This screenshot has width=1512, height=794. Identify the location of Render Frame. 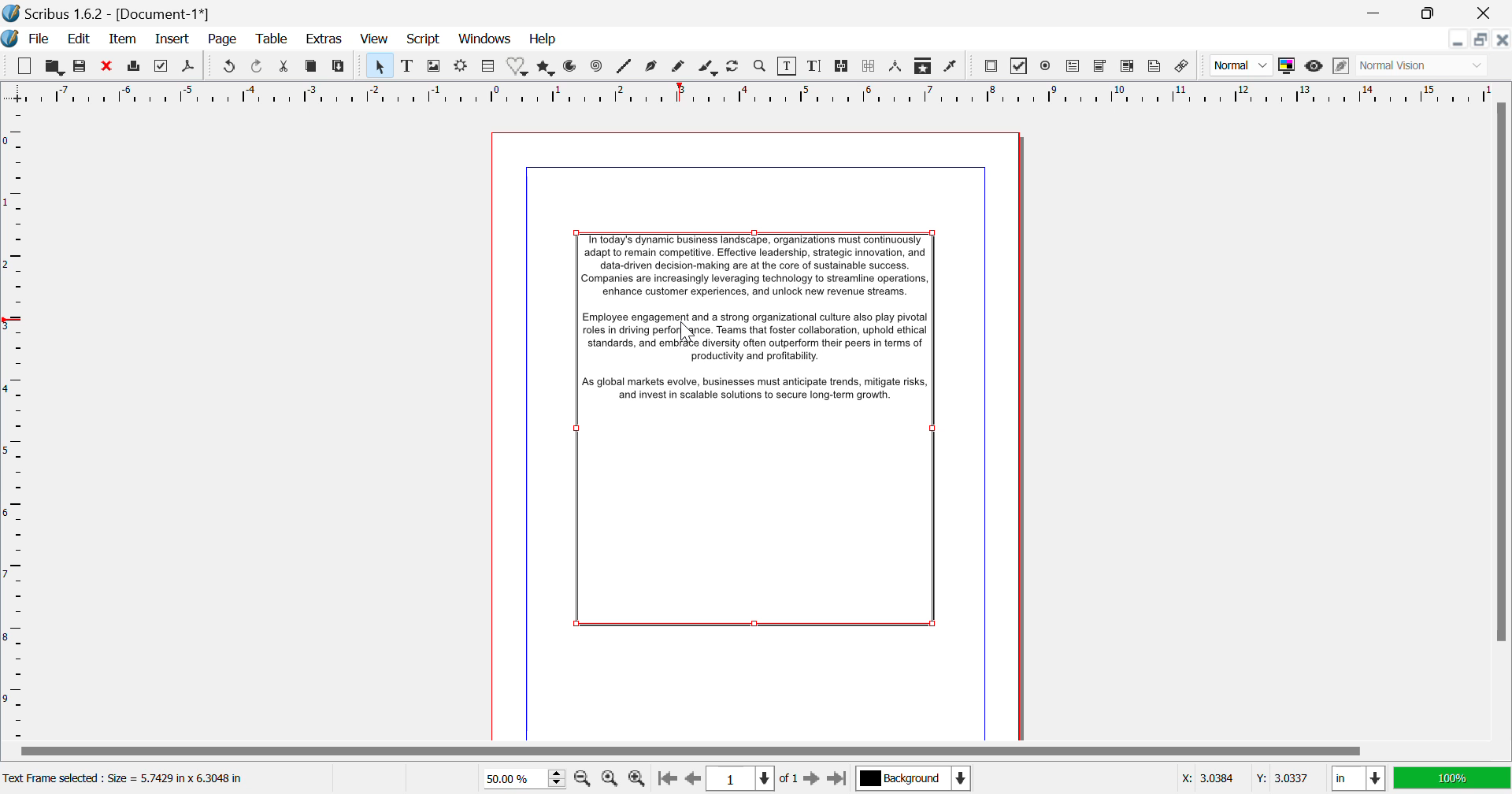
(464, 66).